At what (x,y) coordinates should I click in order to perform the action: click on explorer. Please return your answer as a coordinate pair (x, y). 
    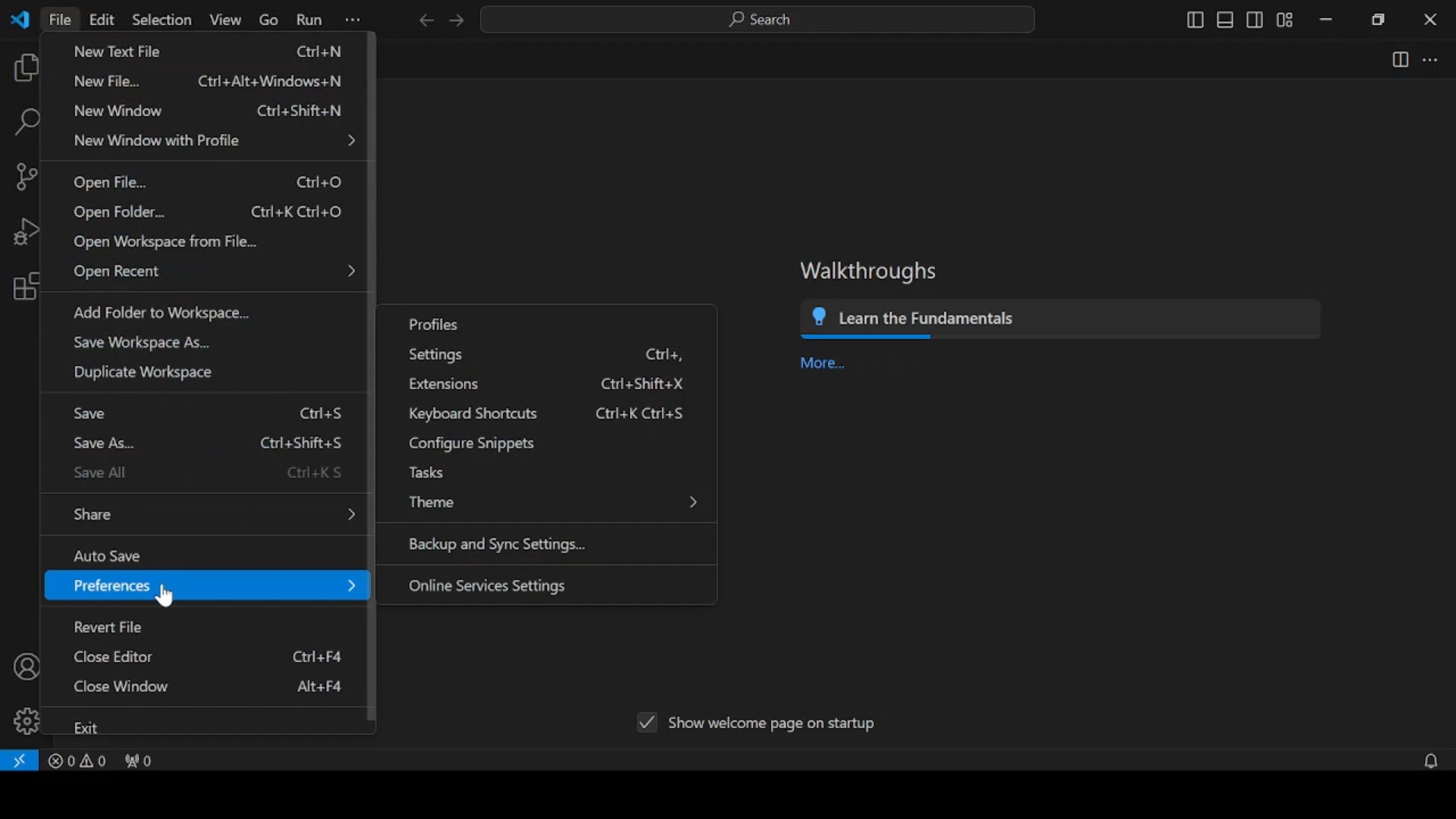
    Looking at the image, I should click on (27, 67).